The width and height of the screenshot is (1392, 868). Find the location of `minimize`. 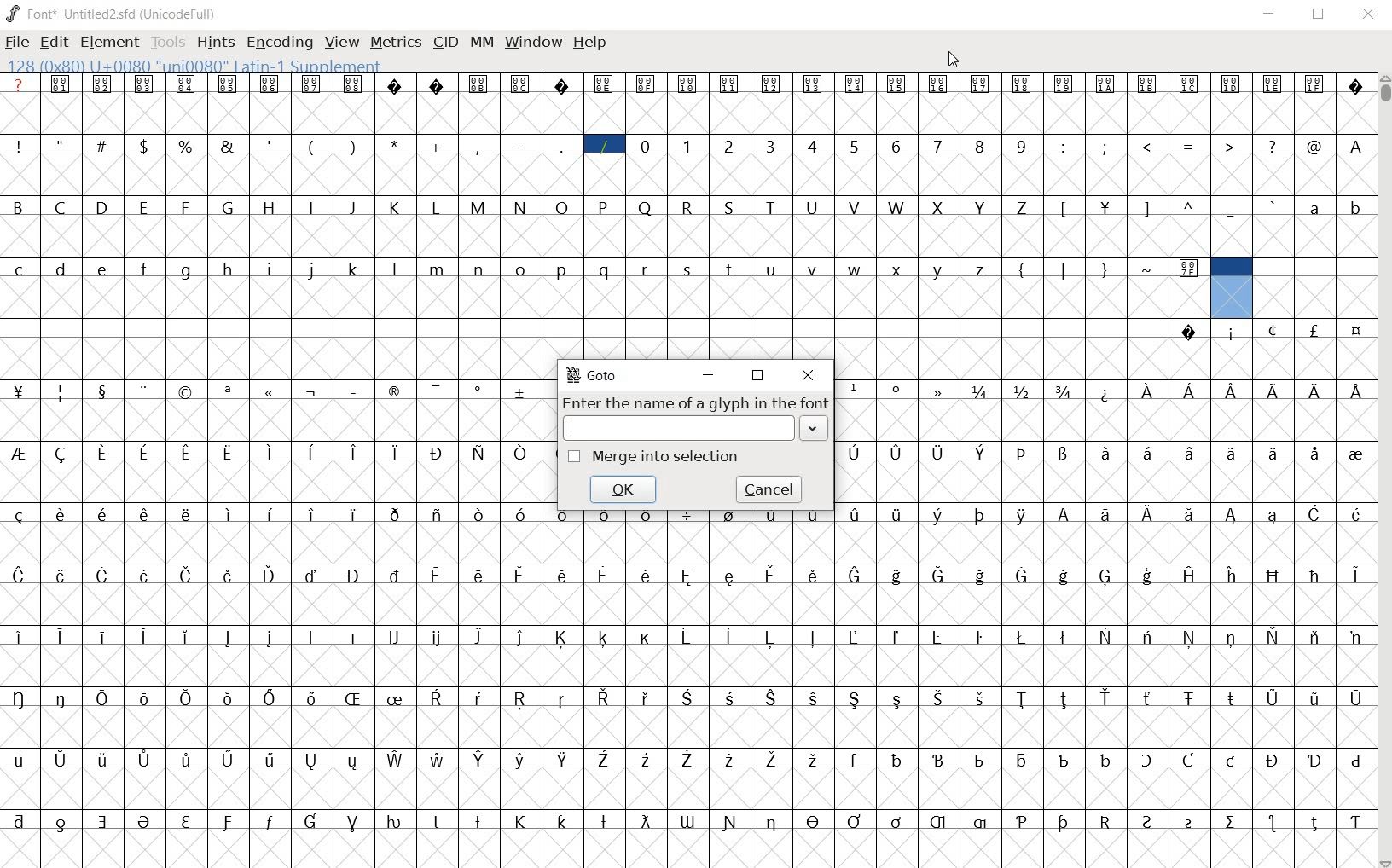

minimize is located at coordinates (709, 374).